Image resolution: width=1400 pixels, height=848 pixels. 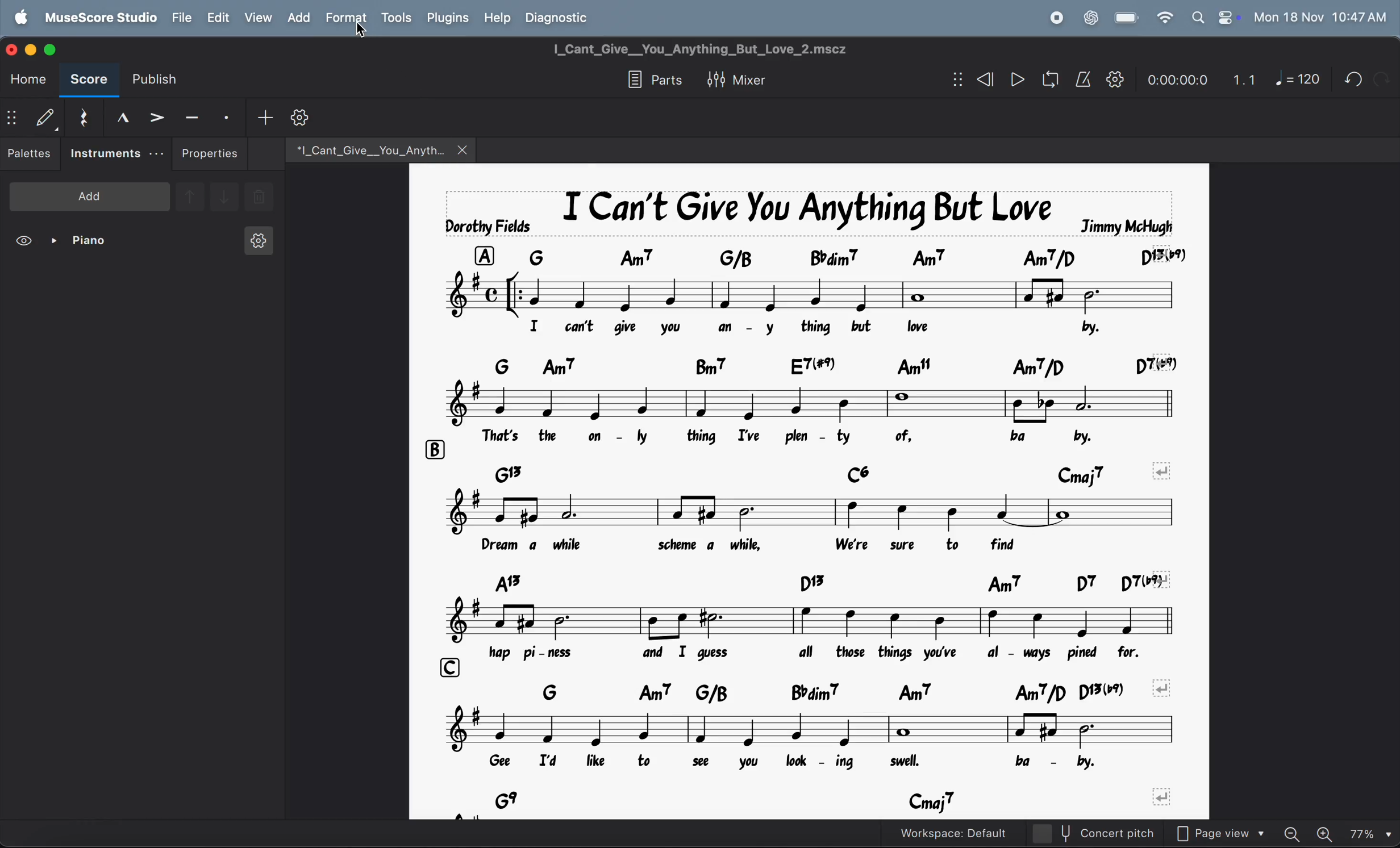 What do you see at coordinates (829, 653) in the screenshot?
I see `lyrics` at bounding box center [829, 653].